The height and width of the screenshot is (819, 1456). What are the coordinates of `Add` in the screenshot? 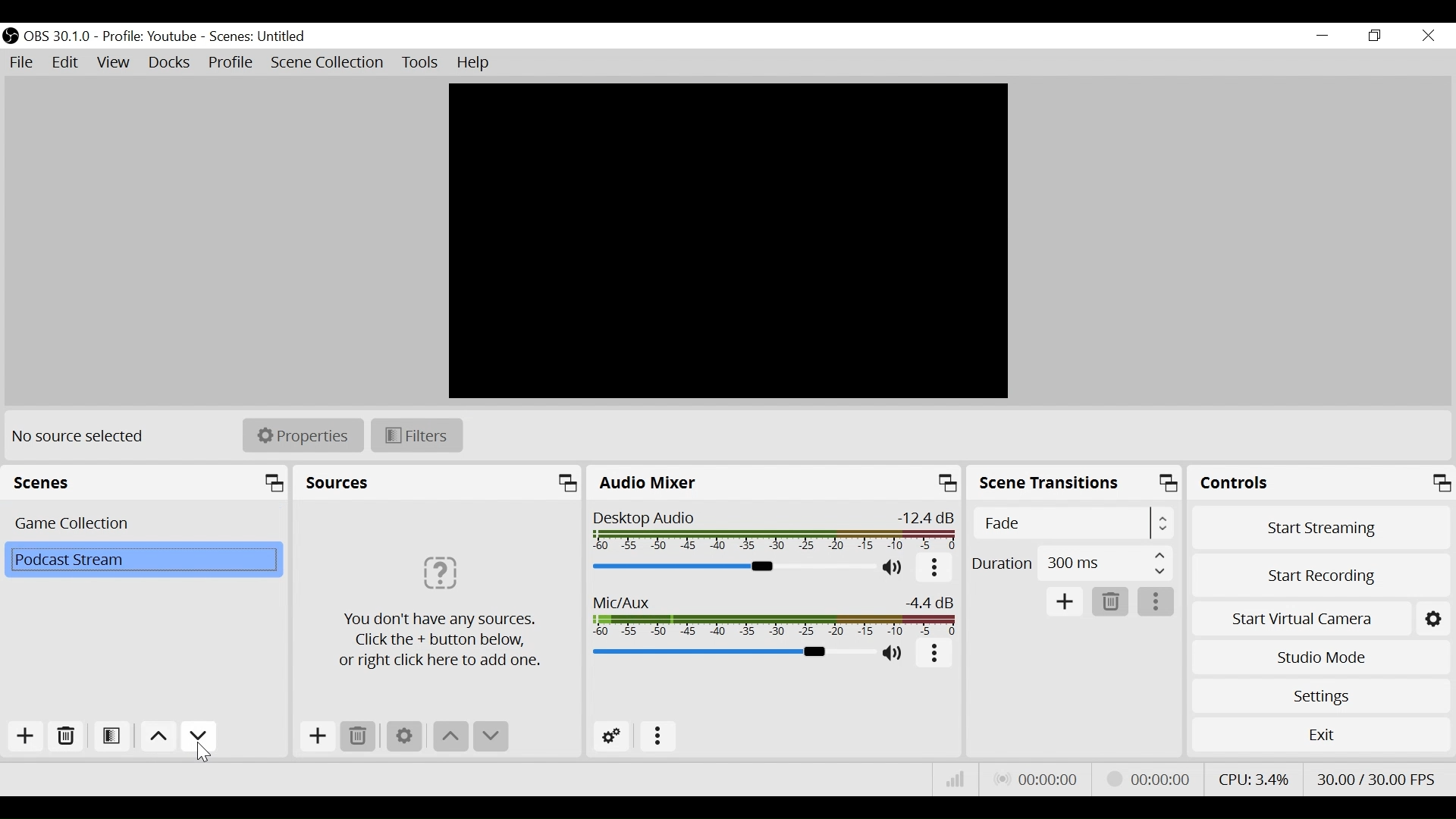 It's located at (315, 736).